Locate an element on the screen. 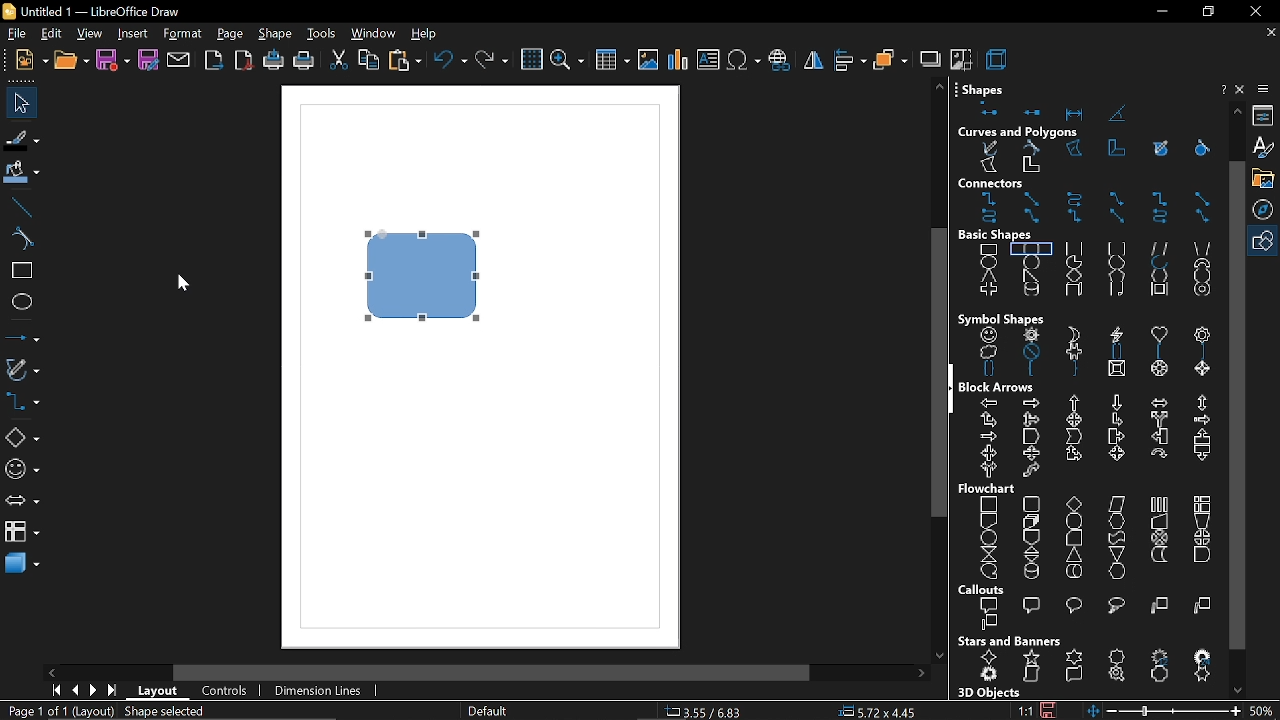 The width and height of the screenshot is (1280, 720). next page is located at coordinates (93, 691).